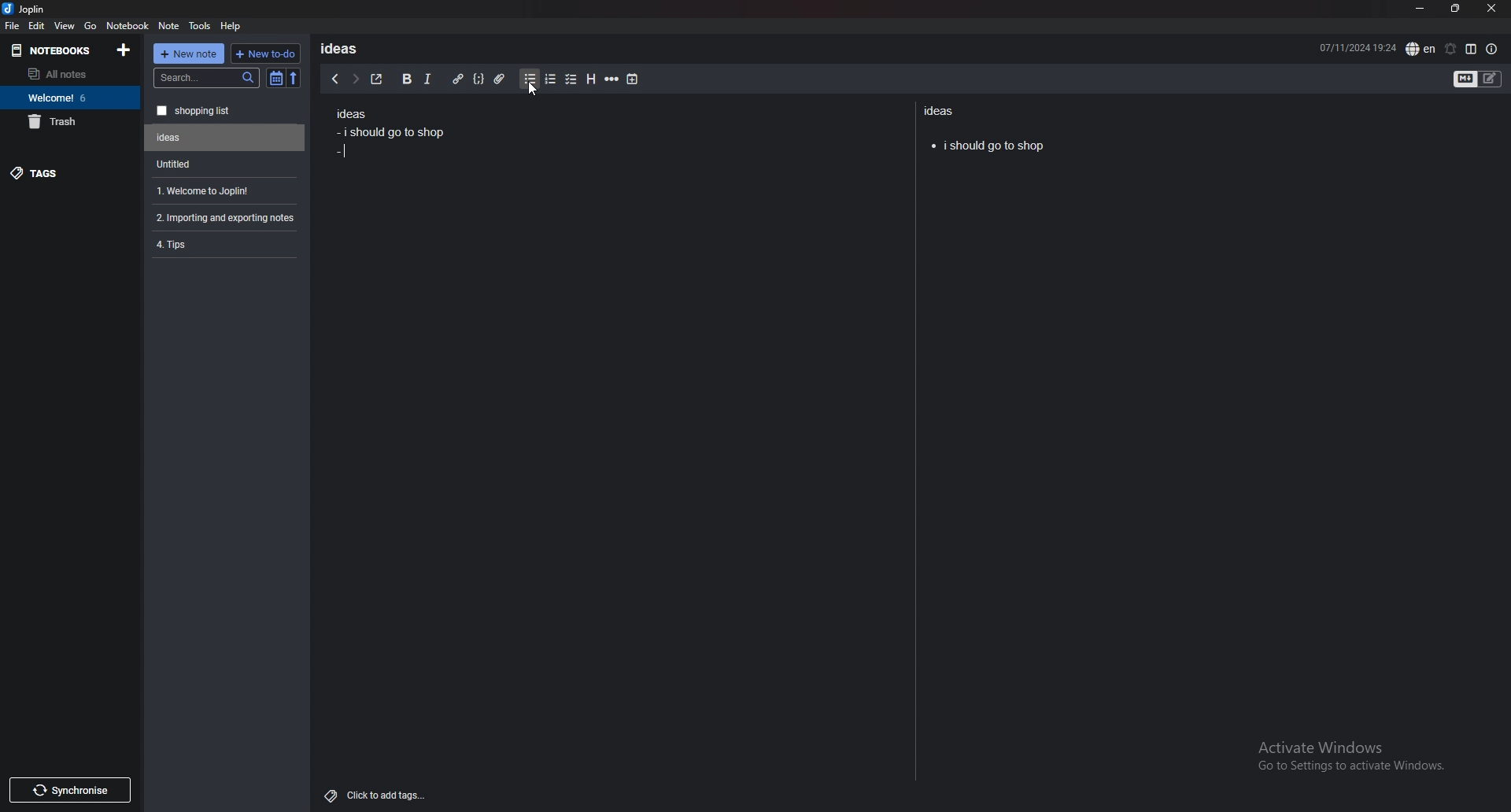 Image resolution: width=1511 pixels, height=812 pixels. What do you see at coordinates (1420, 49) in the screenshot?
I see `spell check` at bounding box center [1420, 49].